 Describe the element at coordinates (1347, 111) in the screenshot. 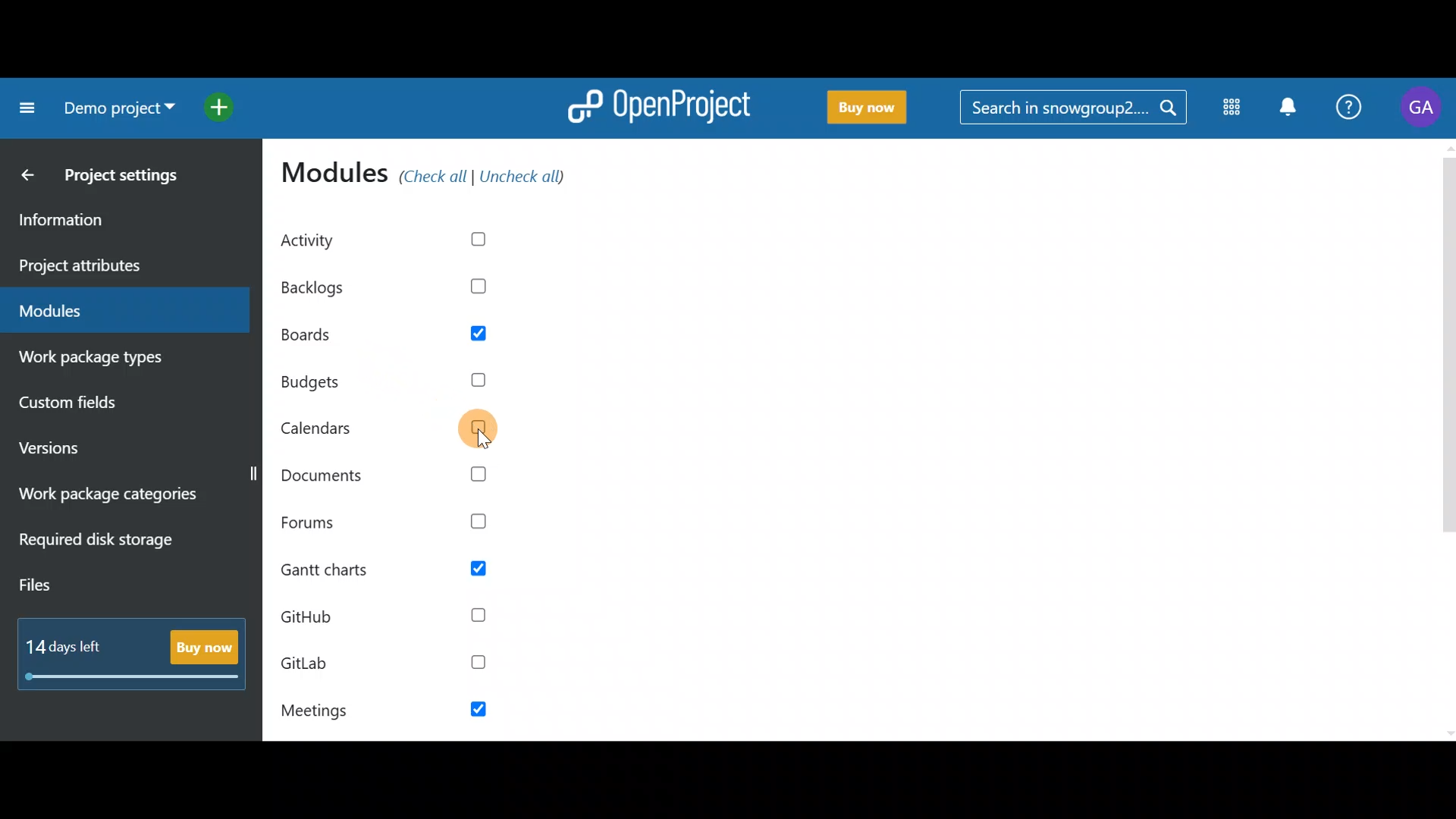

I see `Help` at that location.